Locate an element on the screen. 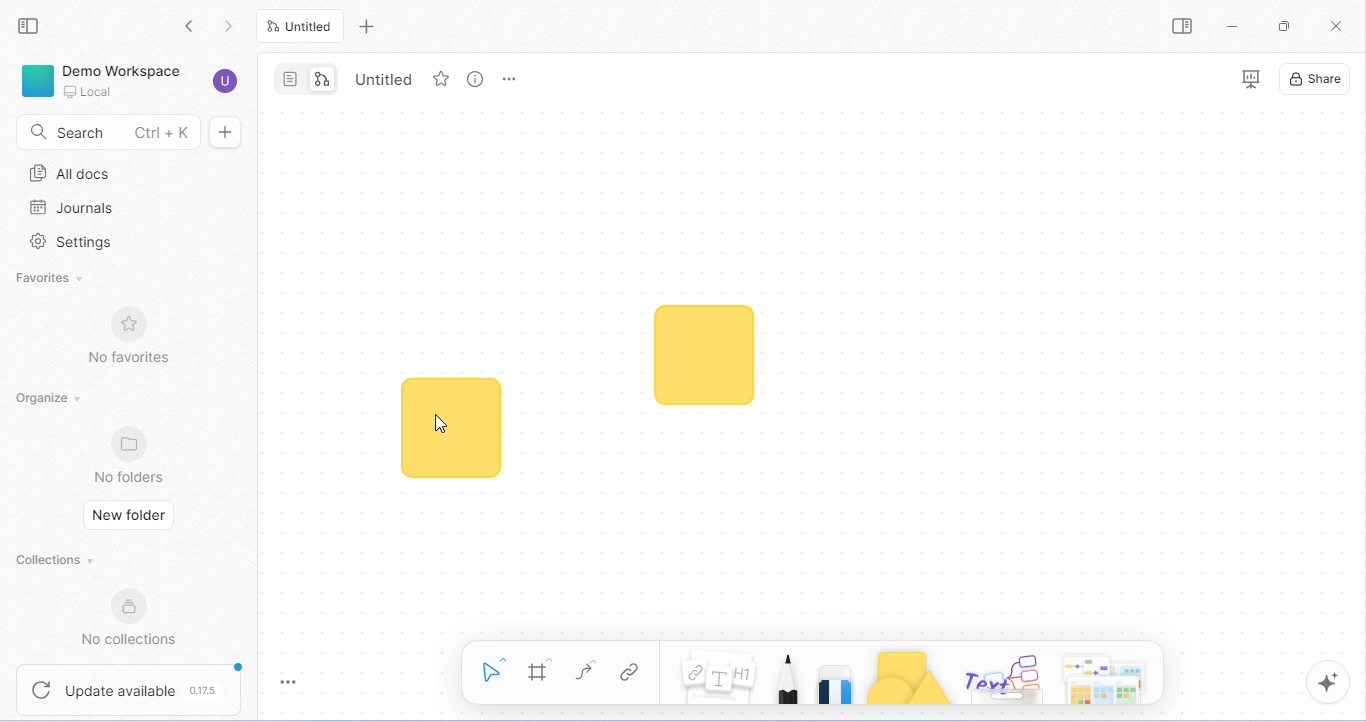 The height and width of the screenshot is (722, 1366). rename and more is located at coordinates (508, 78).